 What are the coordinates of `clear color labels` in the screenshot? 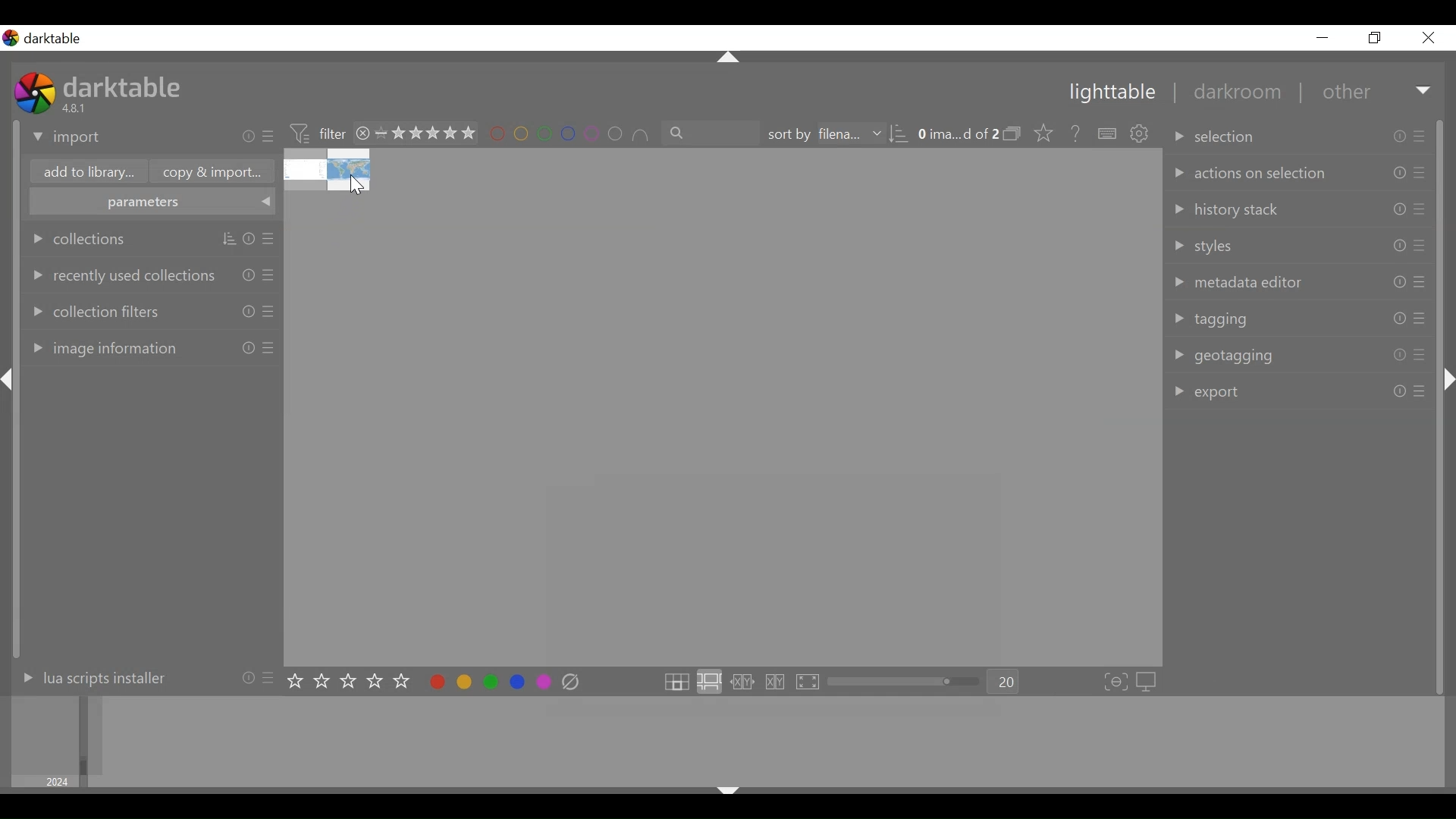 It's located at (571, 684).